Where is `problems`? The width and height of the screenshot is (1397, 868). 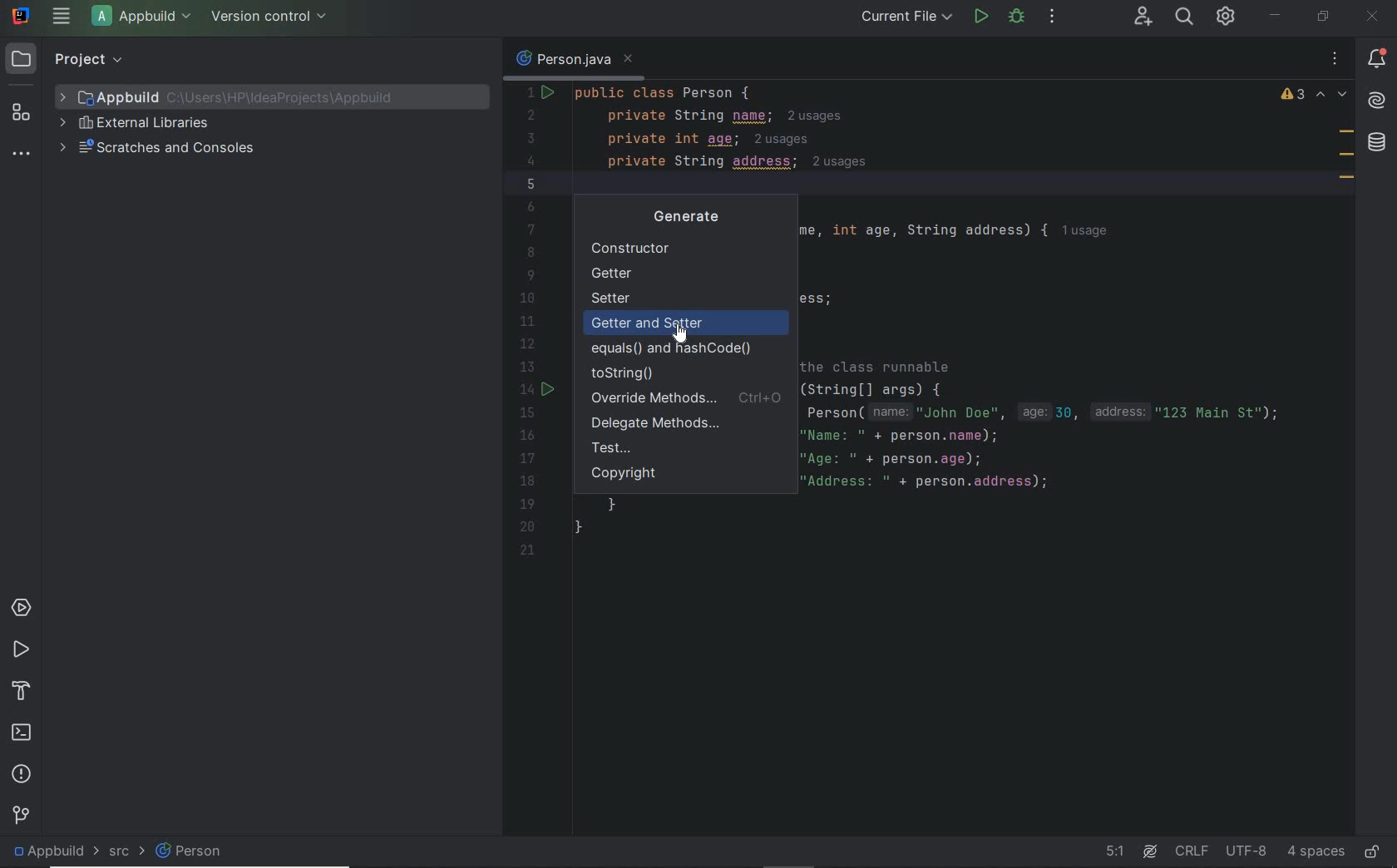 problems is located at coordinates (20, 772).